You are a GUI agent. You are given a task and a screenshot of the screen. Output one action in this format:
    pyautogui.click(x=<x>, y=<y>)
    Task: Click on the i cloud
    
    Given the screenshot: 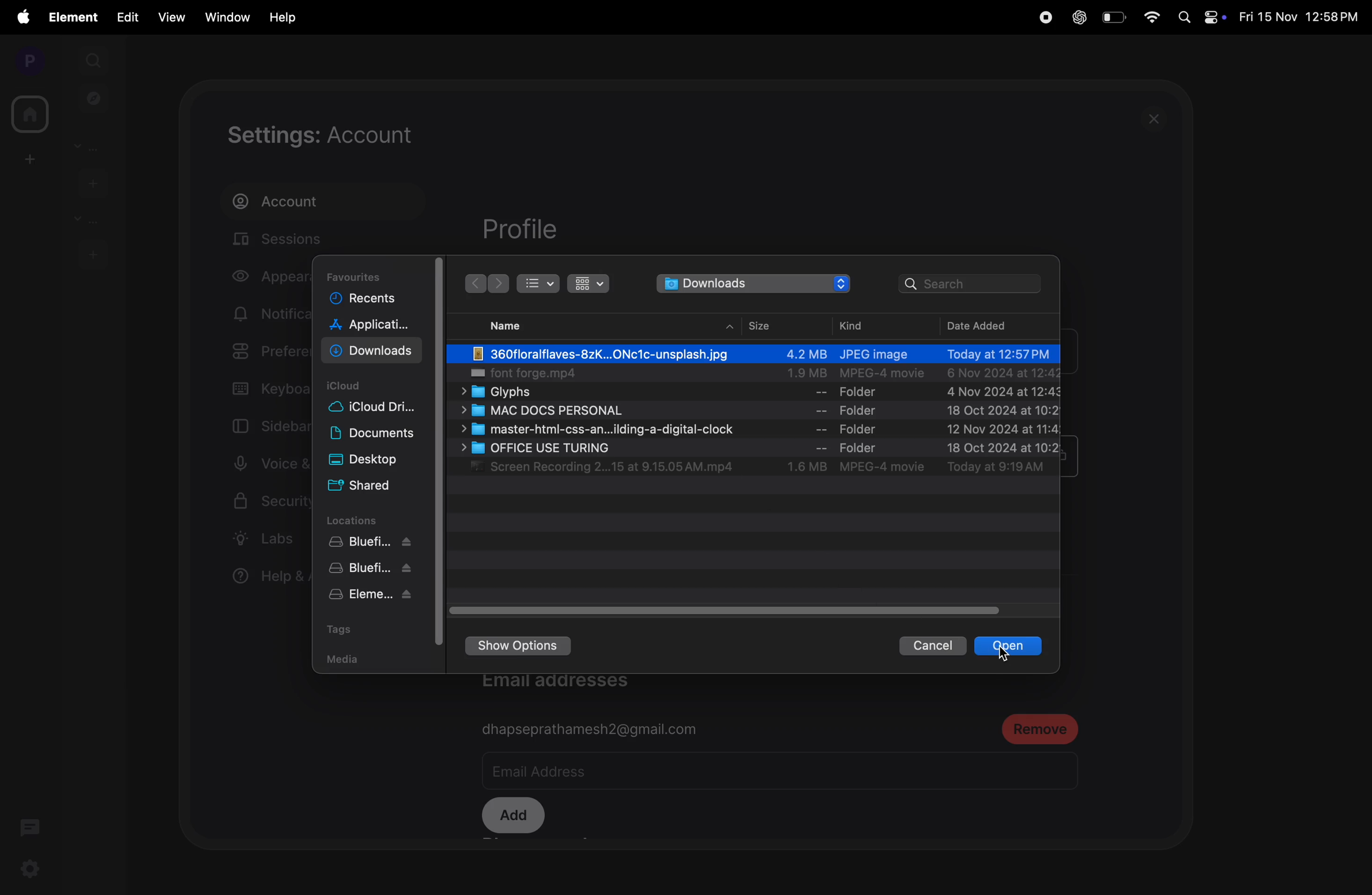 What is the action you would take?
    pyautogui.click(x=355, y=385)
    